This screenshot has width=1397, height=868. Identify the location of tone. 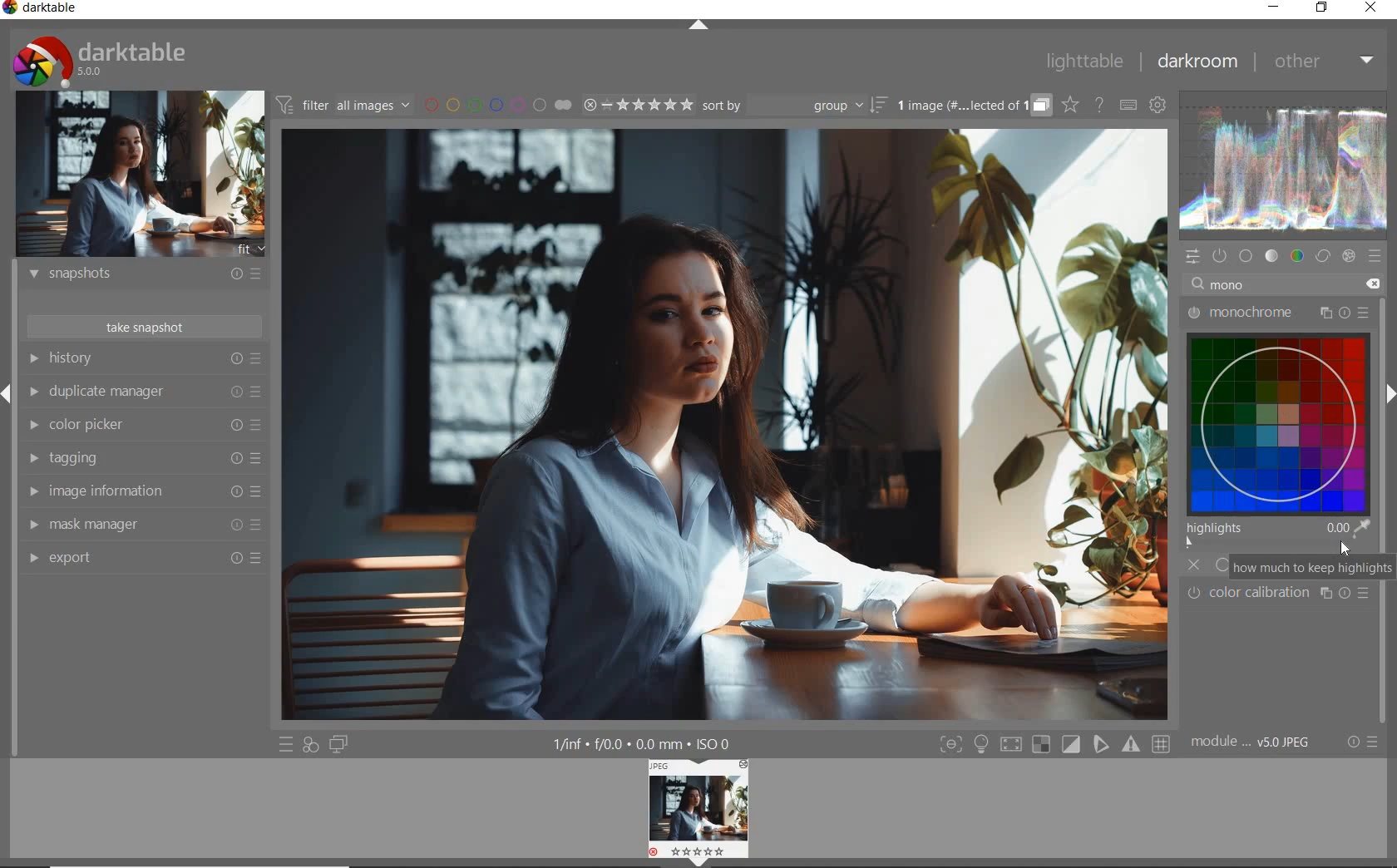
(1273, 256).